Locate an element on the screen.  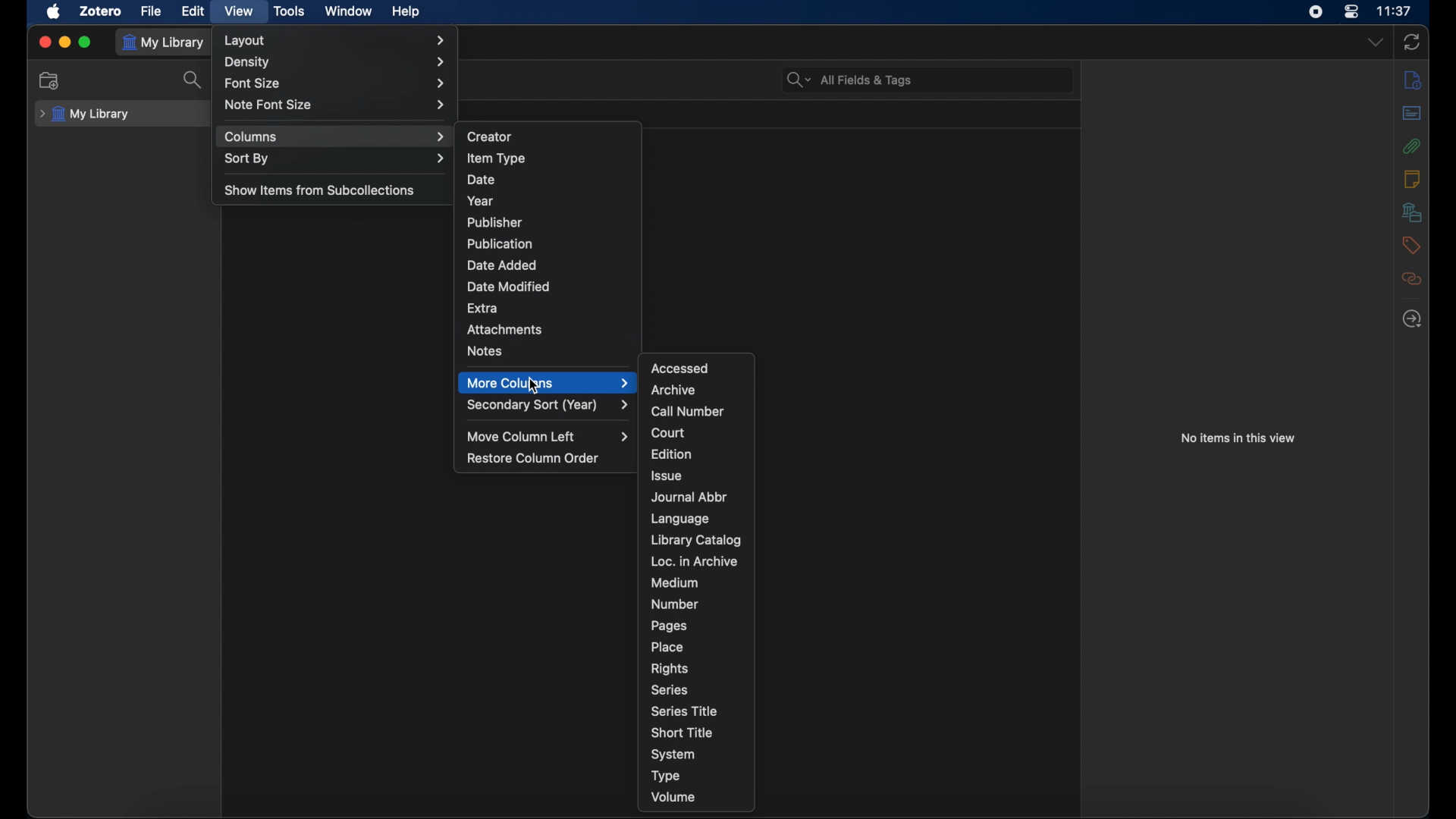
maximize is located at coordinates (86, 43).